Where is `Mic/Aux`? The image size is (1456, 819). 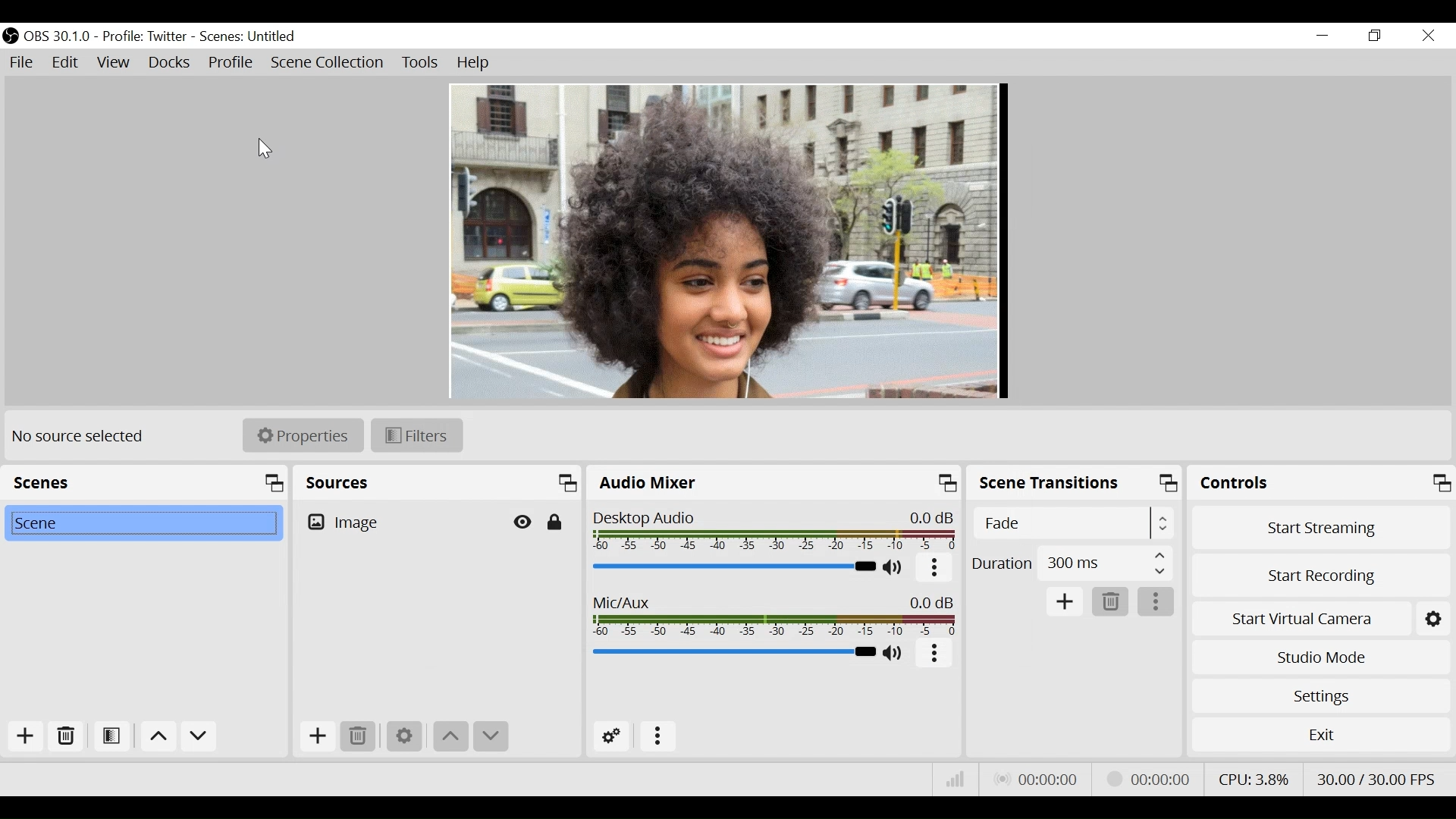 Mic/Aux is located at coordinates (776, 617).